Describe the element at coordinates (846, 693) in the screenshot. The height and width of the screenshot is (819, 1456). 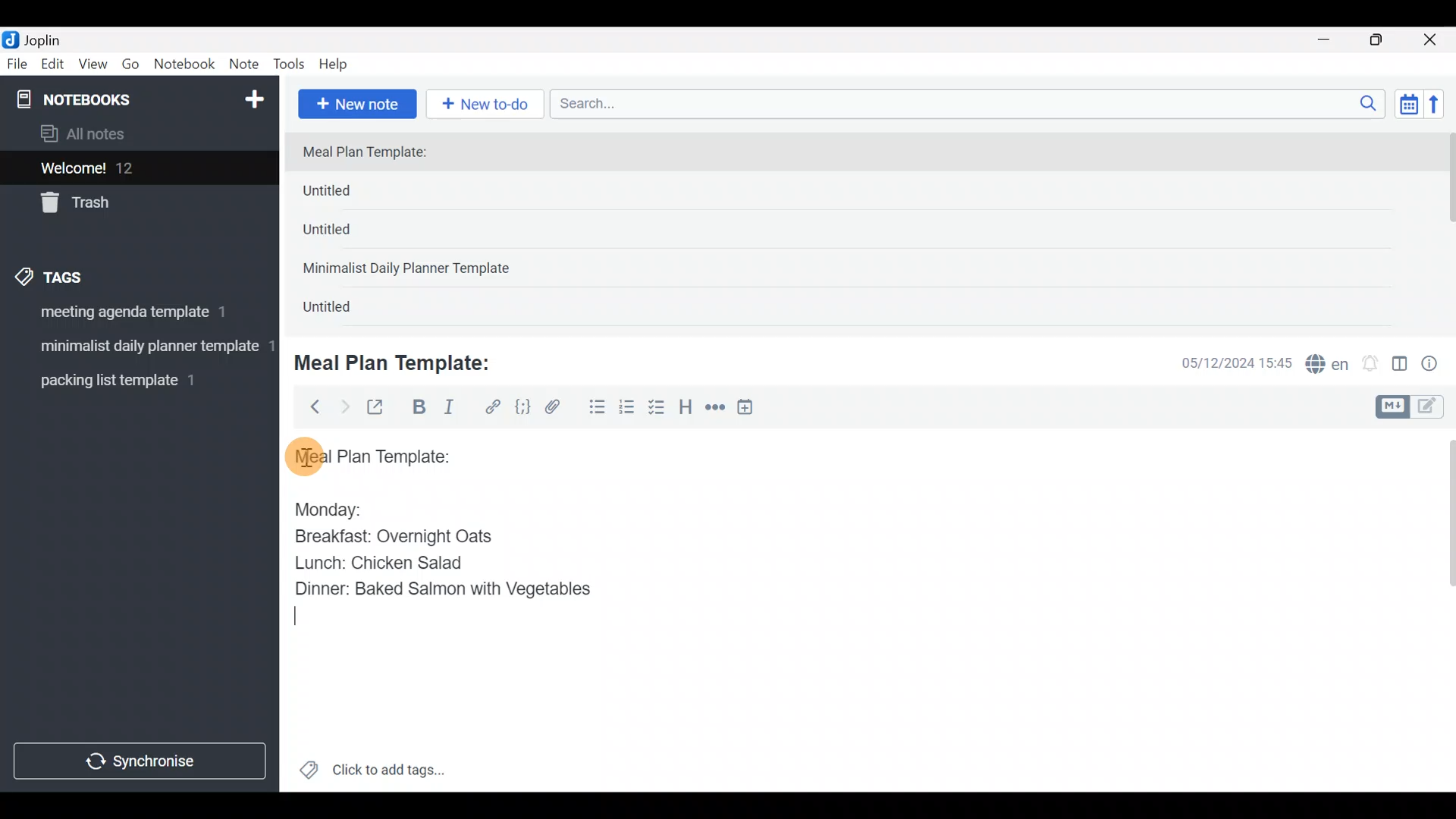
I see `Text editor` at that location.